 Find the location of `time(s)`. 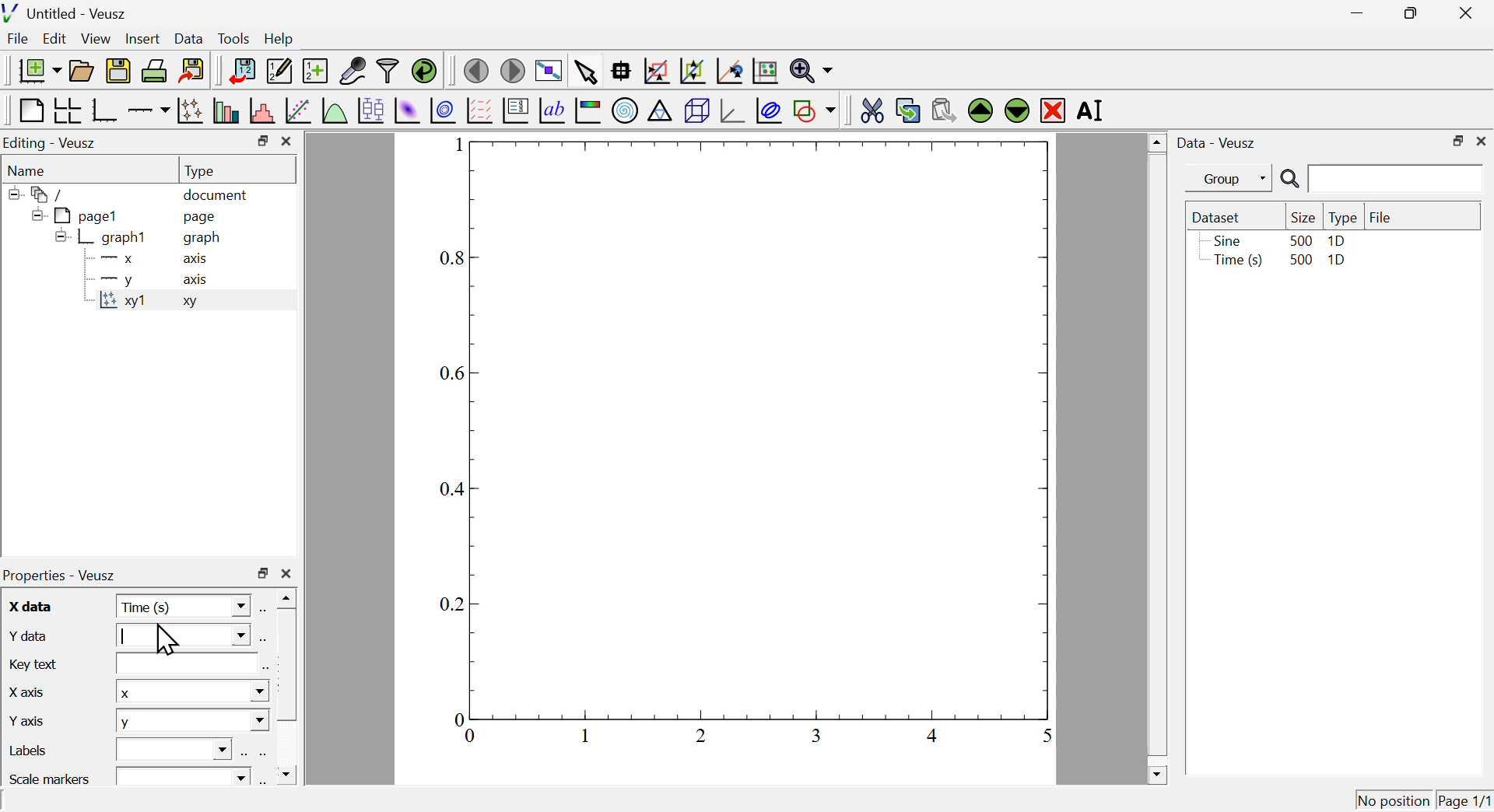

time(s) is located at coordinates (184, 606).